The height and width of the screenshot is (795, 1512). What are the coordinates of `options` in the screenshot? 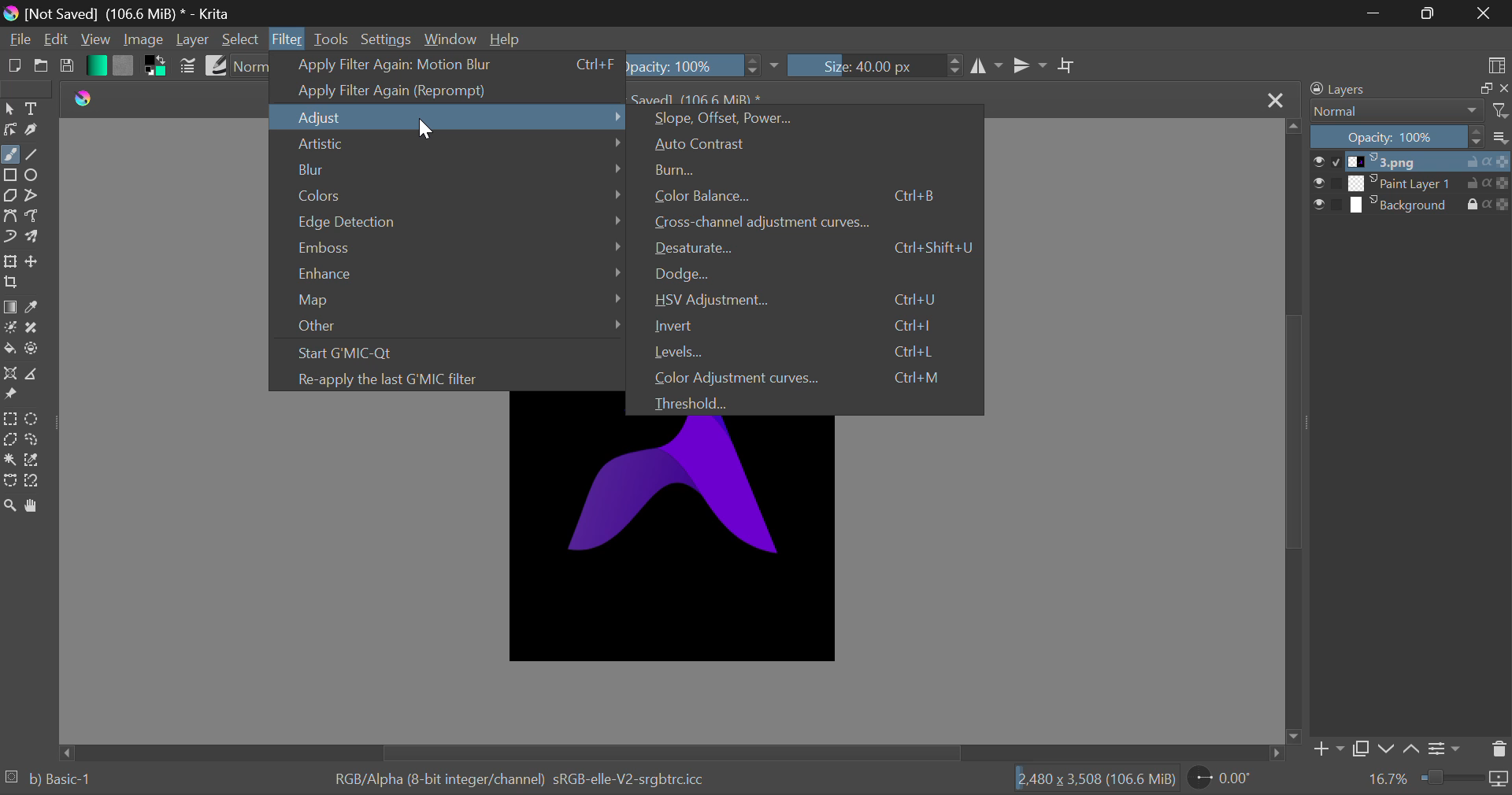 It's located at (1499, 135).